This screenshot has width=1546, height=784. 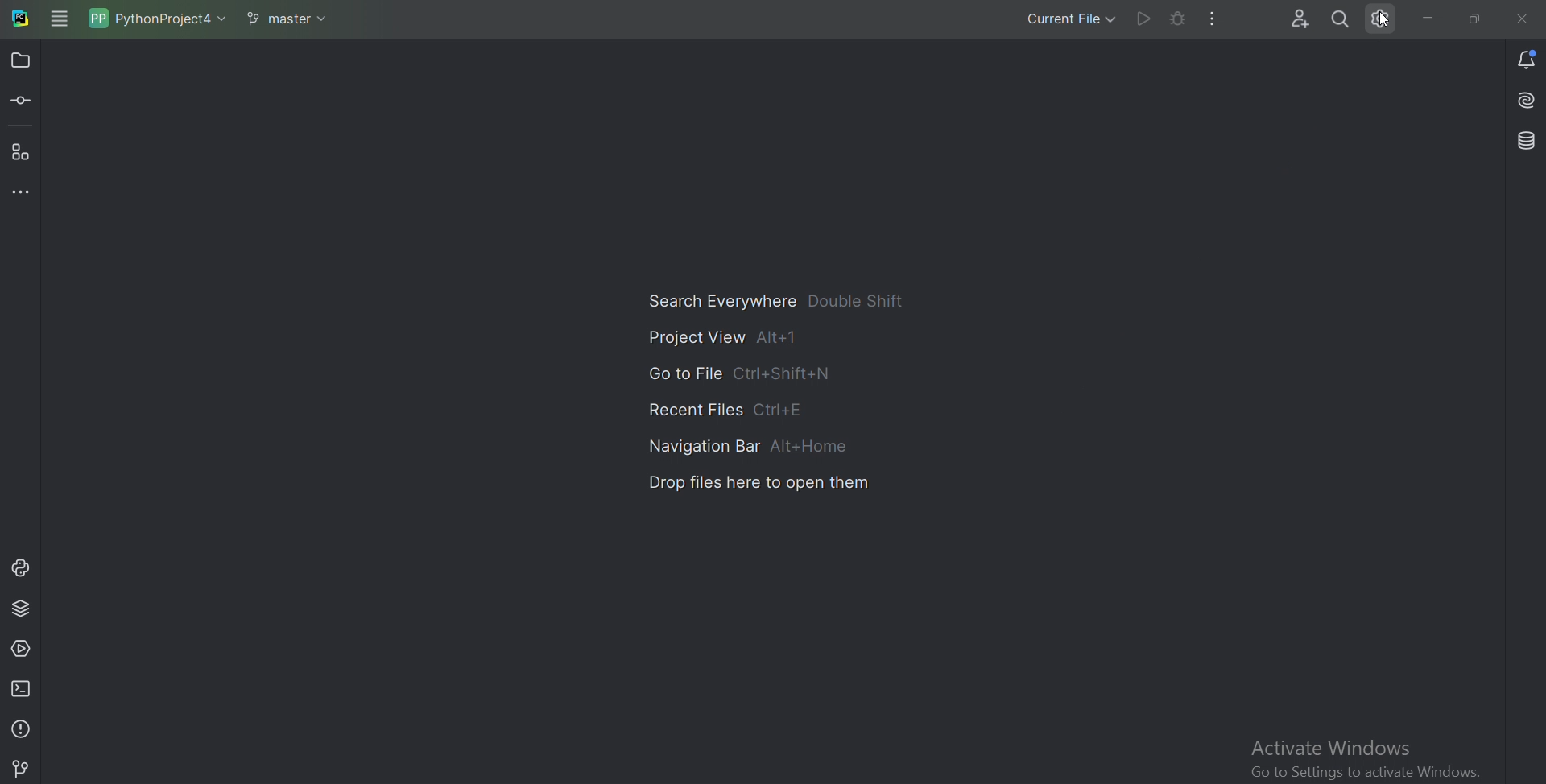 What do you see at coordinates (60, 19) in the screenshot?
I see `Main menu` at bounding box center [60, 19].